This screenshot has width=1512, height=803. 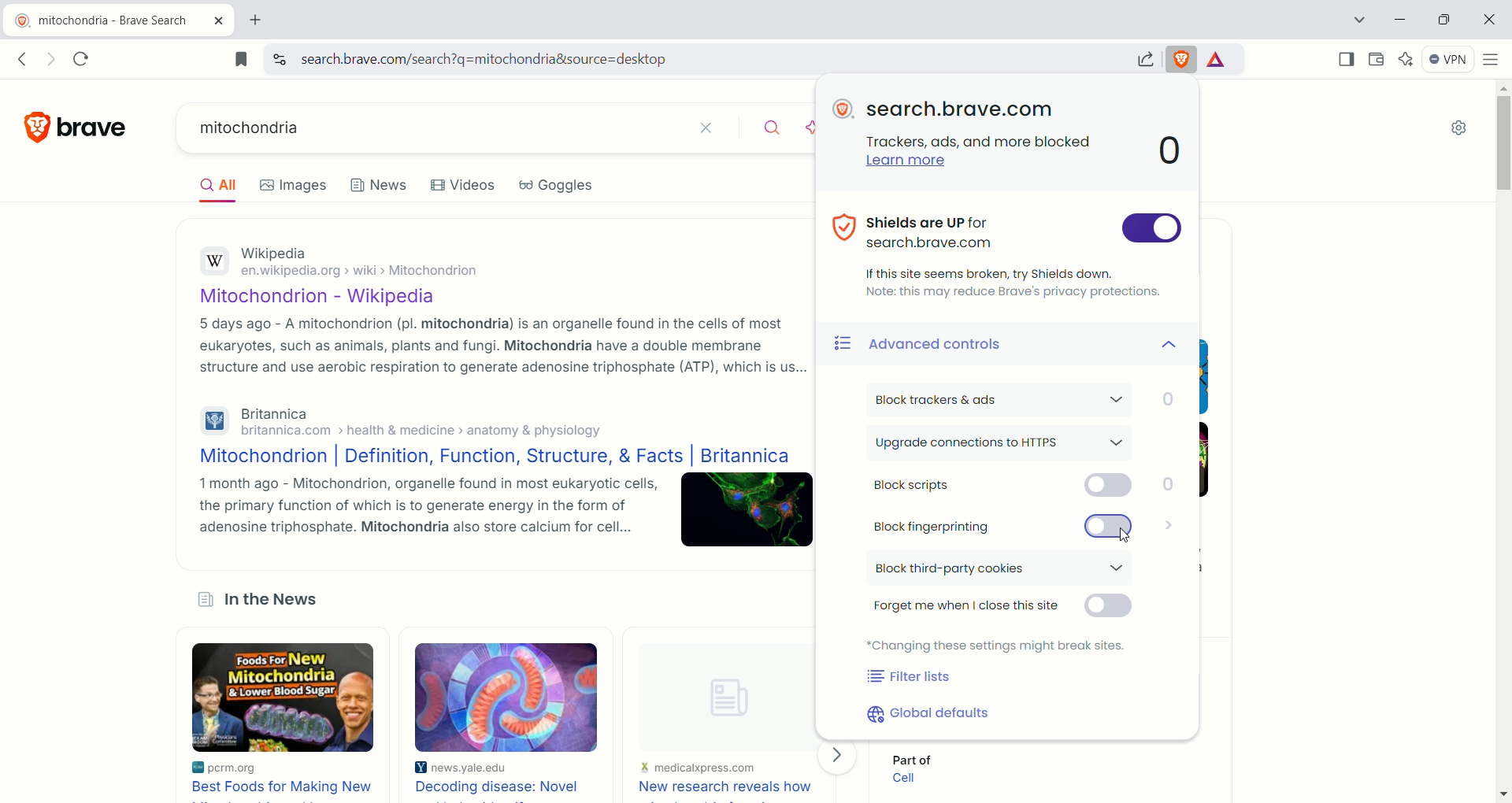 I want to click on upgrade connections to HTTPS, so click(x=1004, y=444).